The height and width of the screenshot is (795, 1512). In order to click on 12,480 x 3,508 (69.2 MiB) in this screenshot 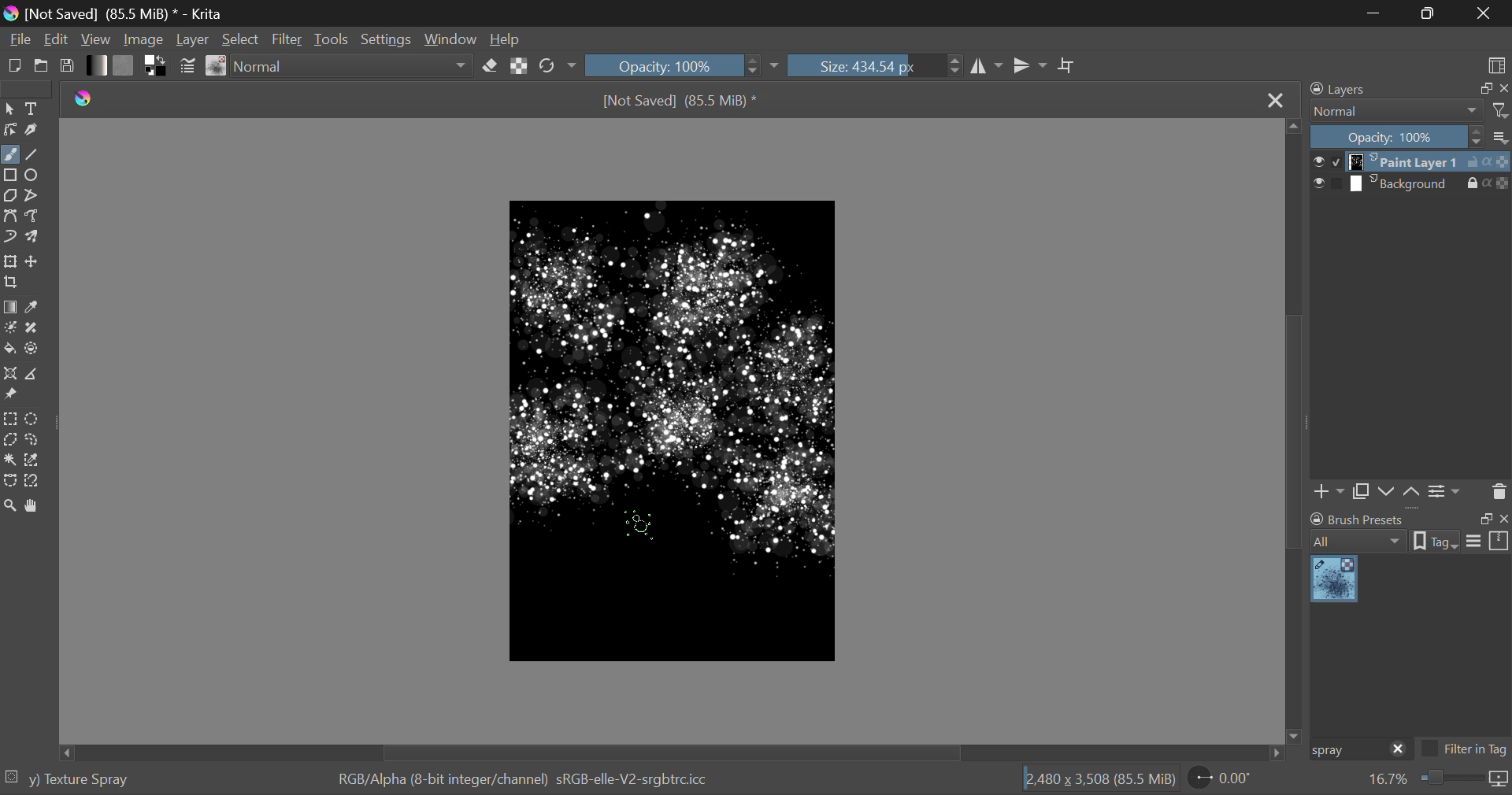, I will do `click(1100, 778)`.